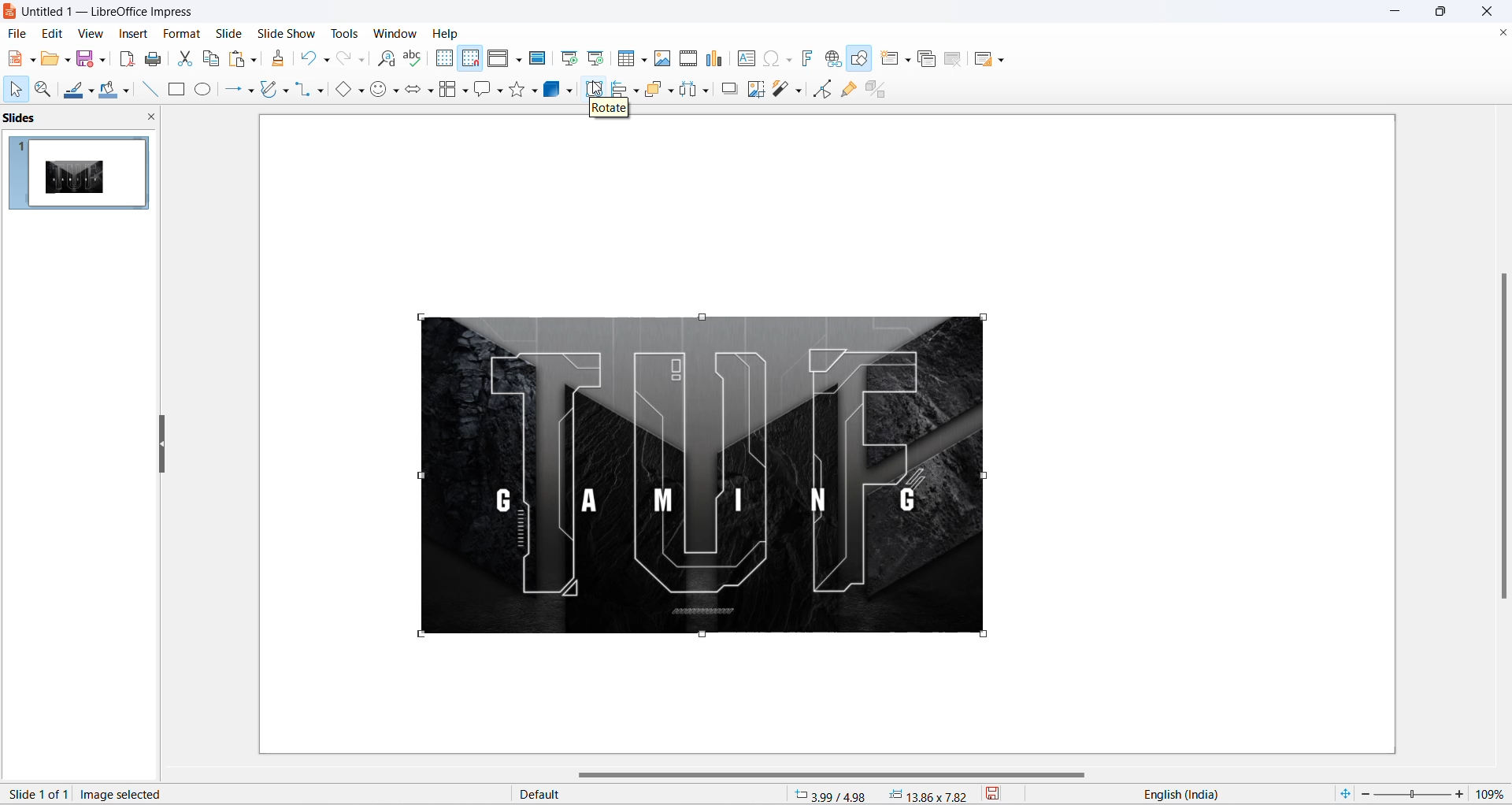 The width and height of the screenshot is (1512, 805). Describe the element at coordinates (187, 58) in the screenshot. I see `cut` at that location.